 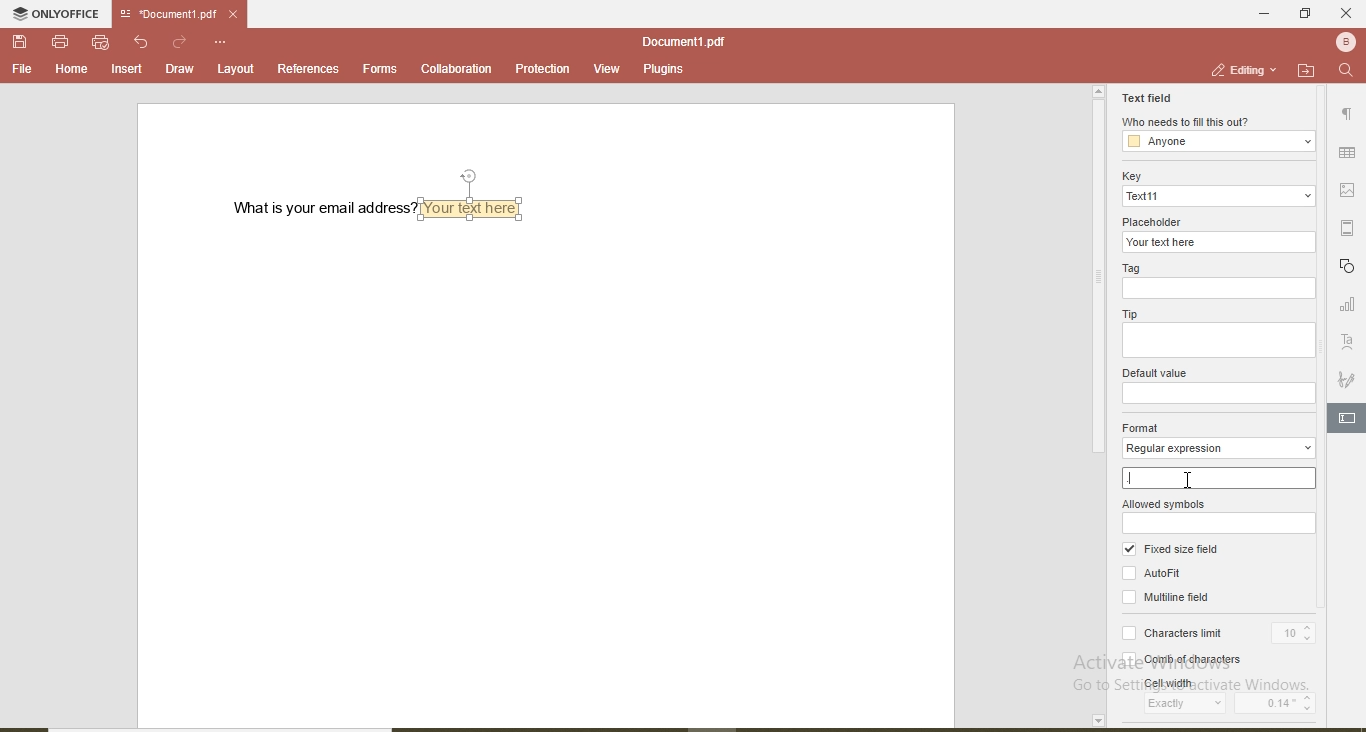 I want to click on redo, so click(x=181, y=41).